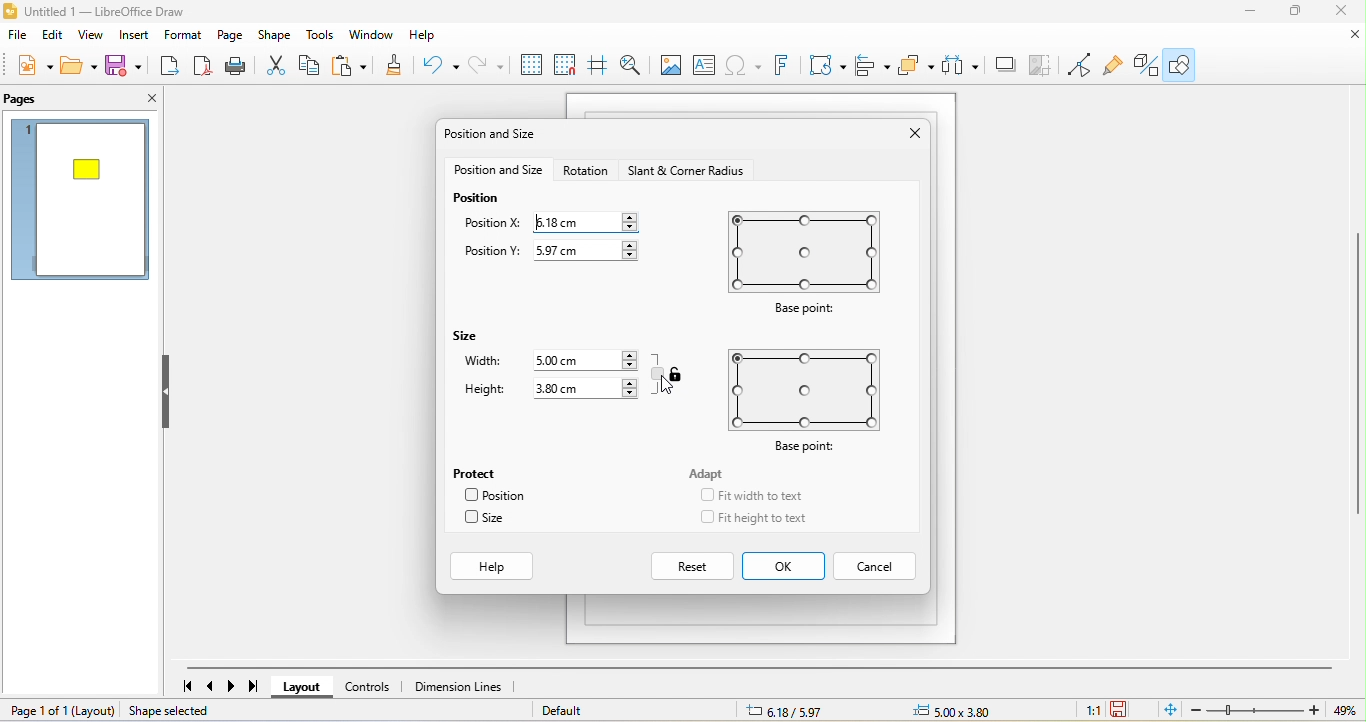  Describe the element at coordinates (920, 66) in the screenshot. I see `arrange` at that location.